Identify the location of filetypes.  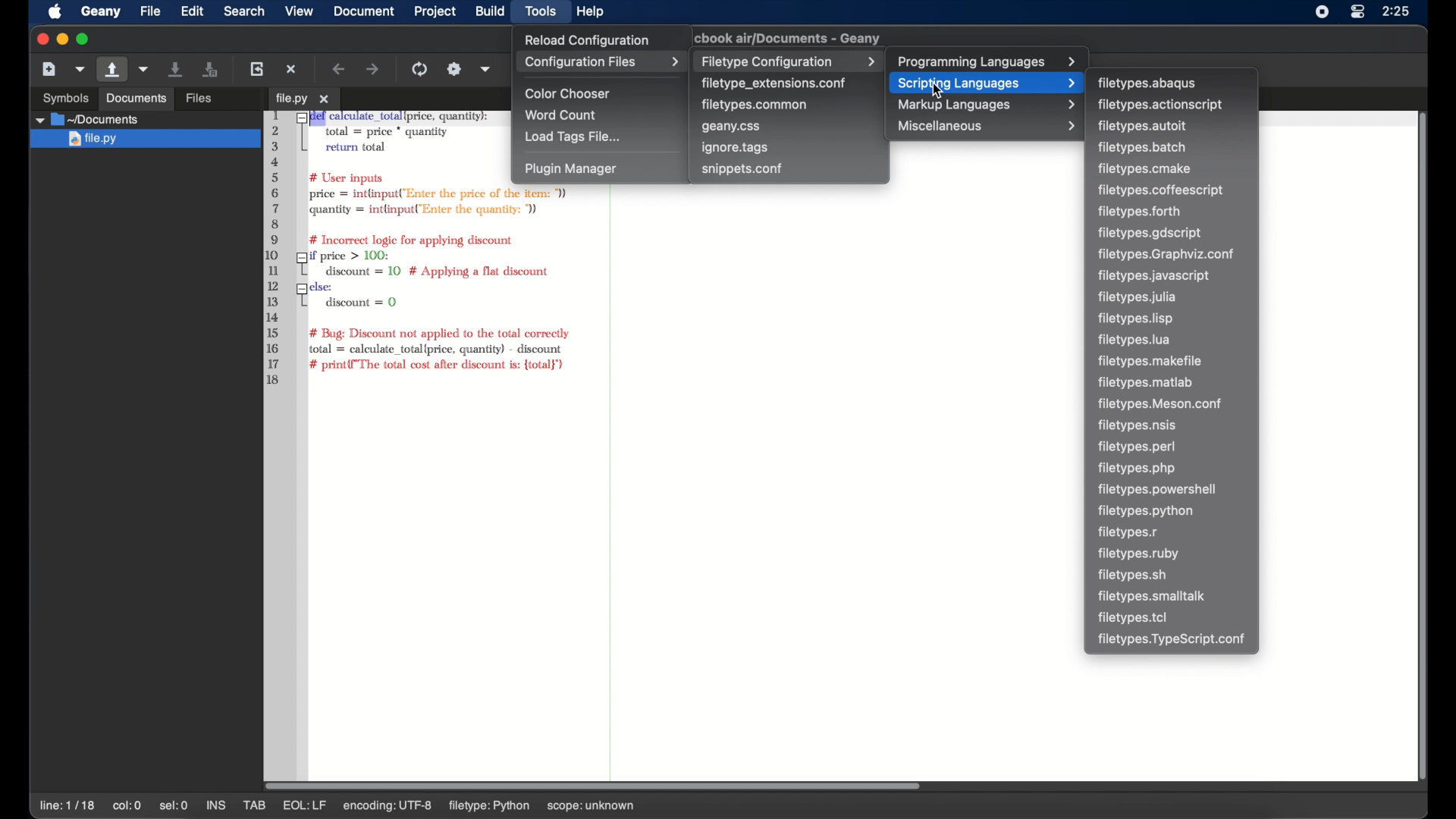
(1137, 318).